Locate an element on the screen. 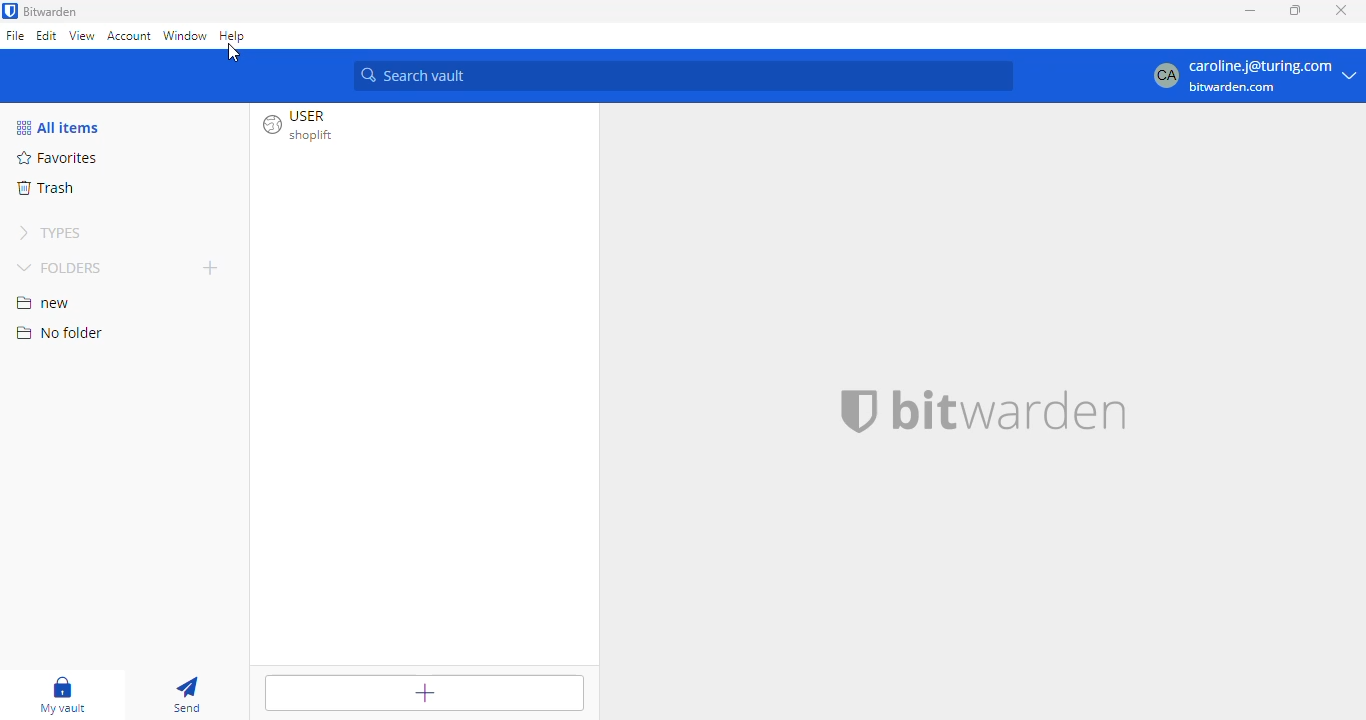 Image resolution: width=1366 pixels, height=720 pixels. favorites is located at coordinates (55, 157).